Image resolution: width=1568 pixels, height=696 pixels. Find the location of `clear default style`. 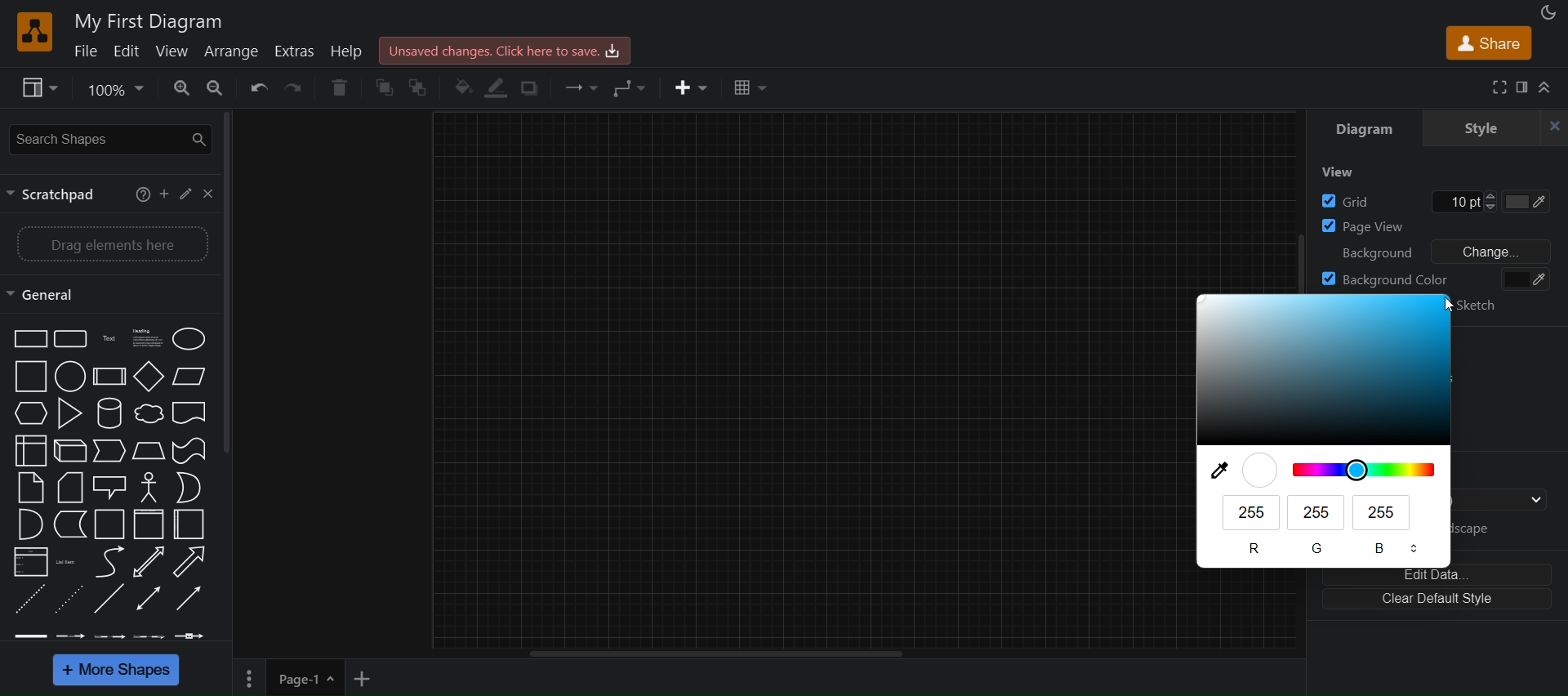

clear default style is located at coordinates (1441, 601).